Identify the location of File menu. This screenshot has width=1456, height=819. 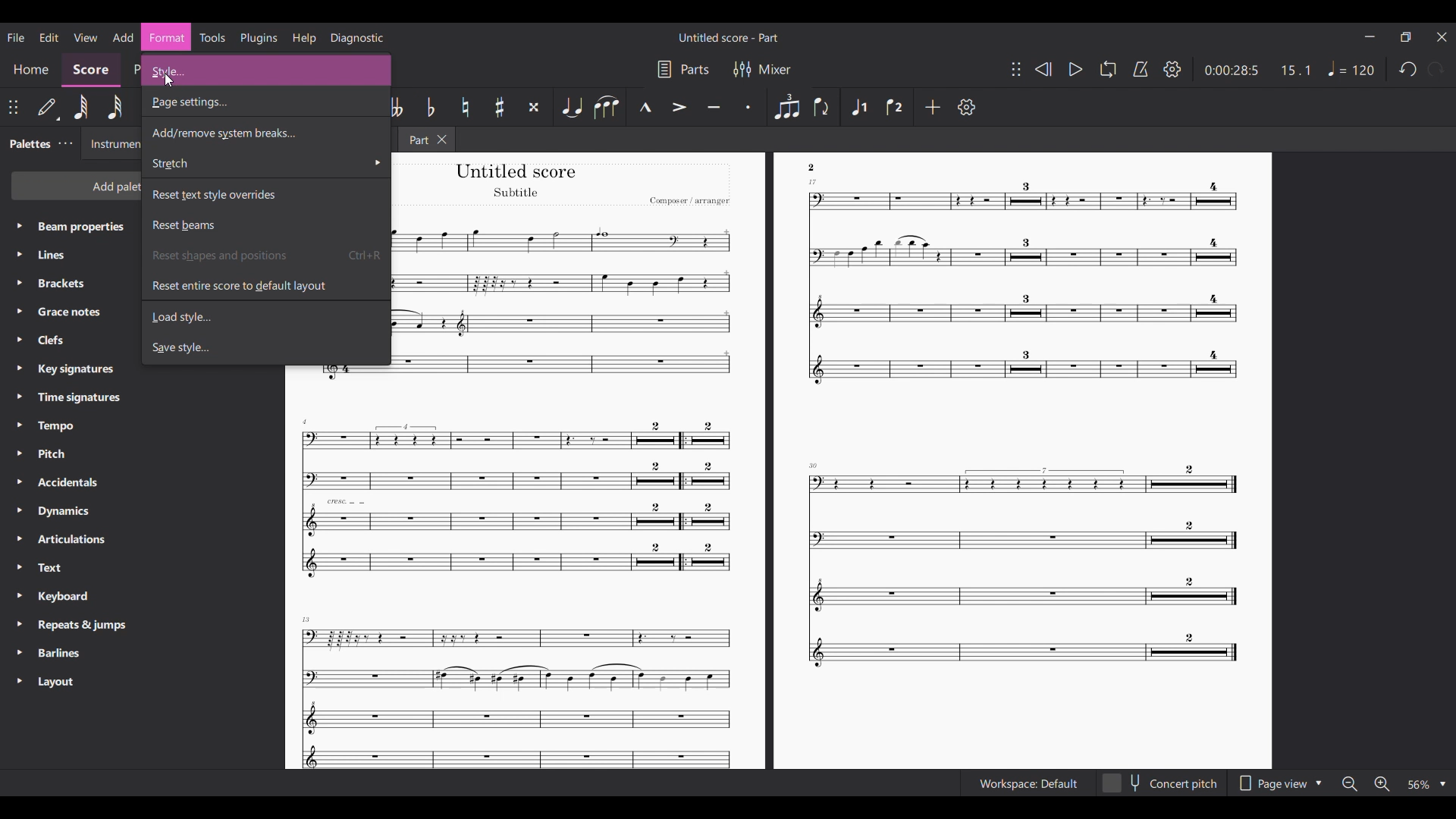
(15, 37).